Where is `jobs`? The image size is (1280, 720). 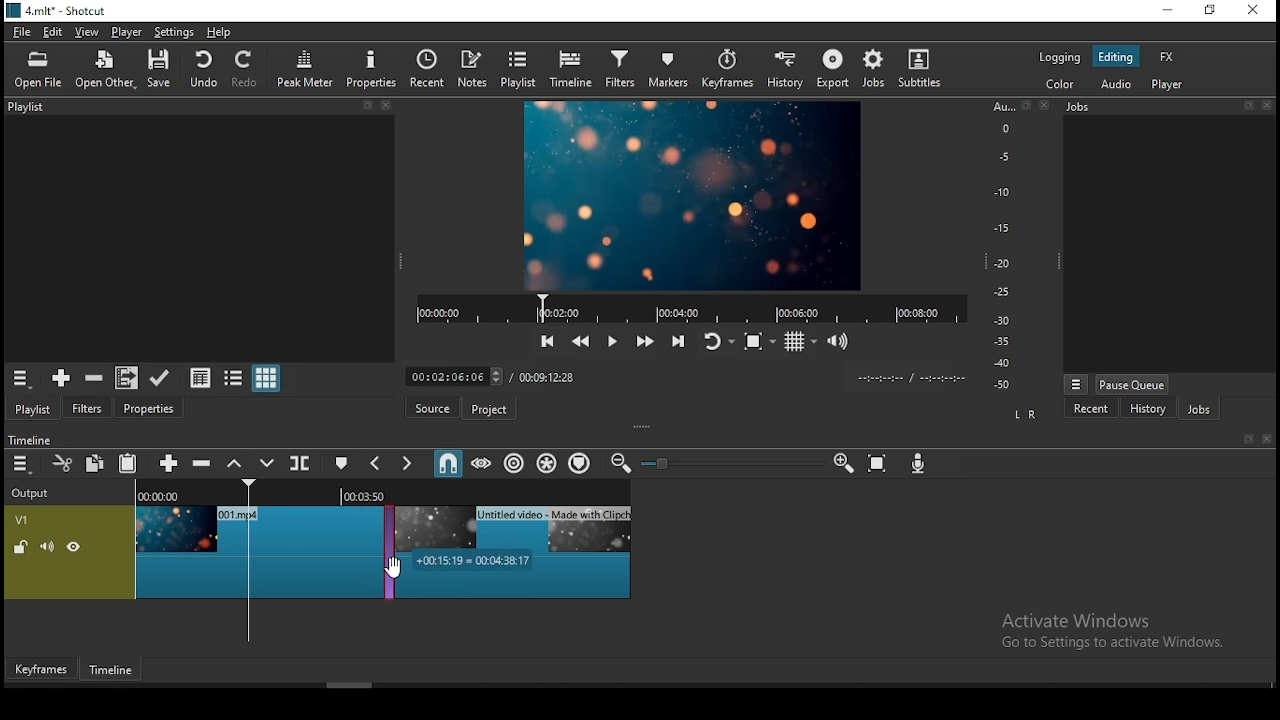 jobs is located at coordinates (1199, 409).